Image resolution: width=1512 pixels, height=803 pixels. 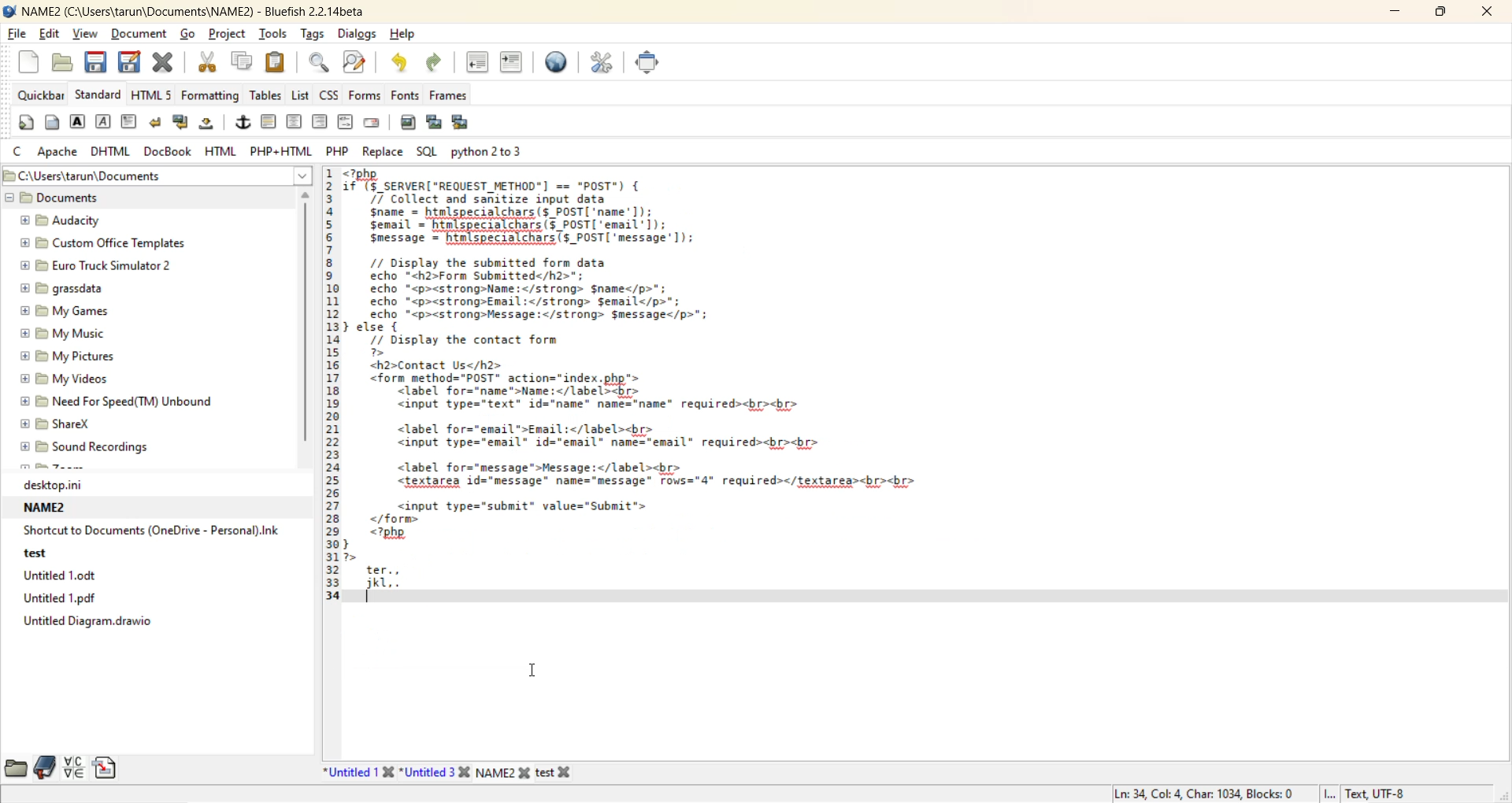 I want to click on project, so click(x=227, y=36).